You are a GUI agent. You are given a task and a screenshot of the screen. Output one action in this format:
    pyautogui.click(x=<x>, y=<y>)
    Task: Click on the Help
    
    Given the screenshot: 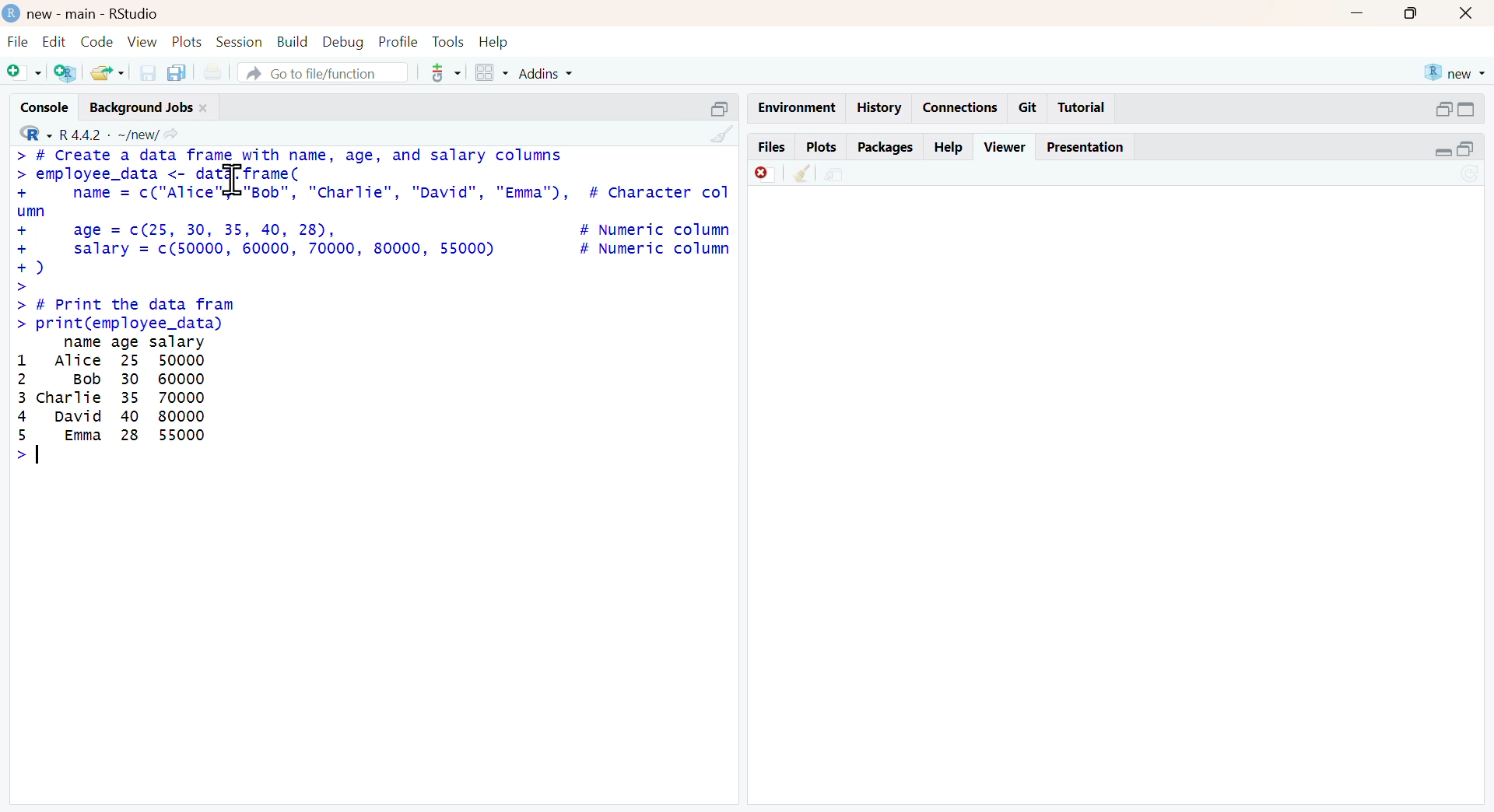 What is the action you would take?
    pyautogui.click(x=952, y=145)
    